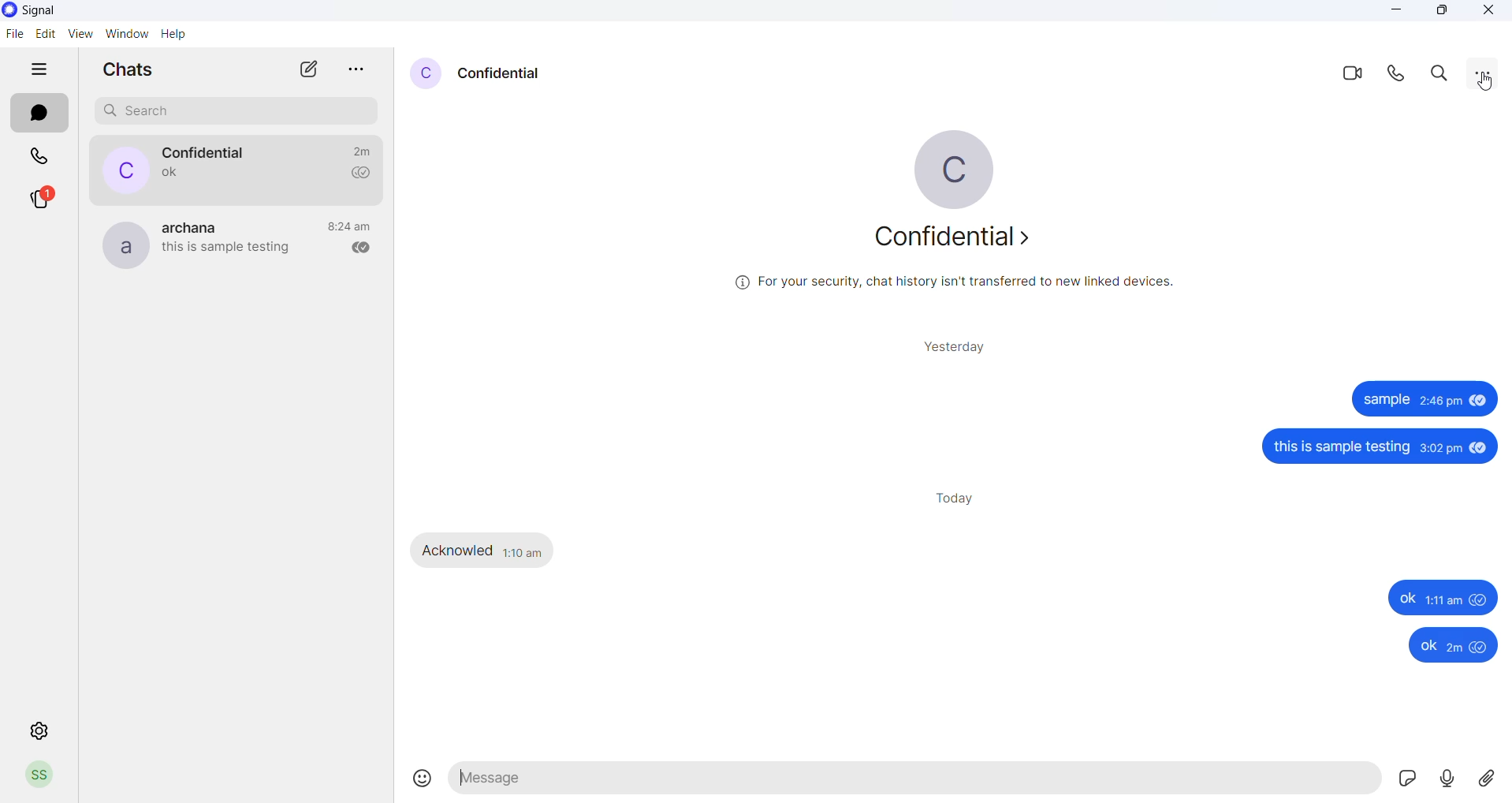  What do you see at coordinates (1384, 398) in the screenshot?
I see `sample` at bounding box center [1384, 398].